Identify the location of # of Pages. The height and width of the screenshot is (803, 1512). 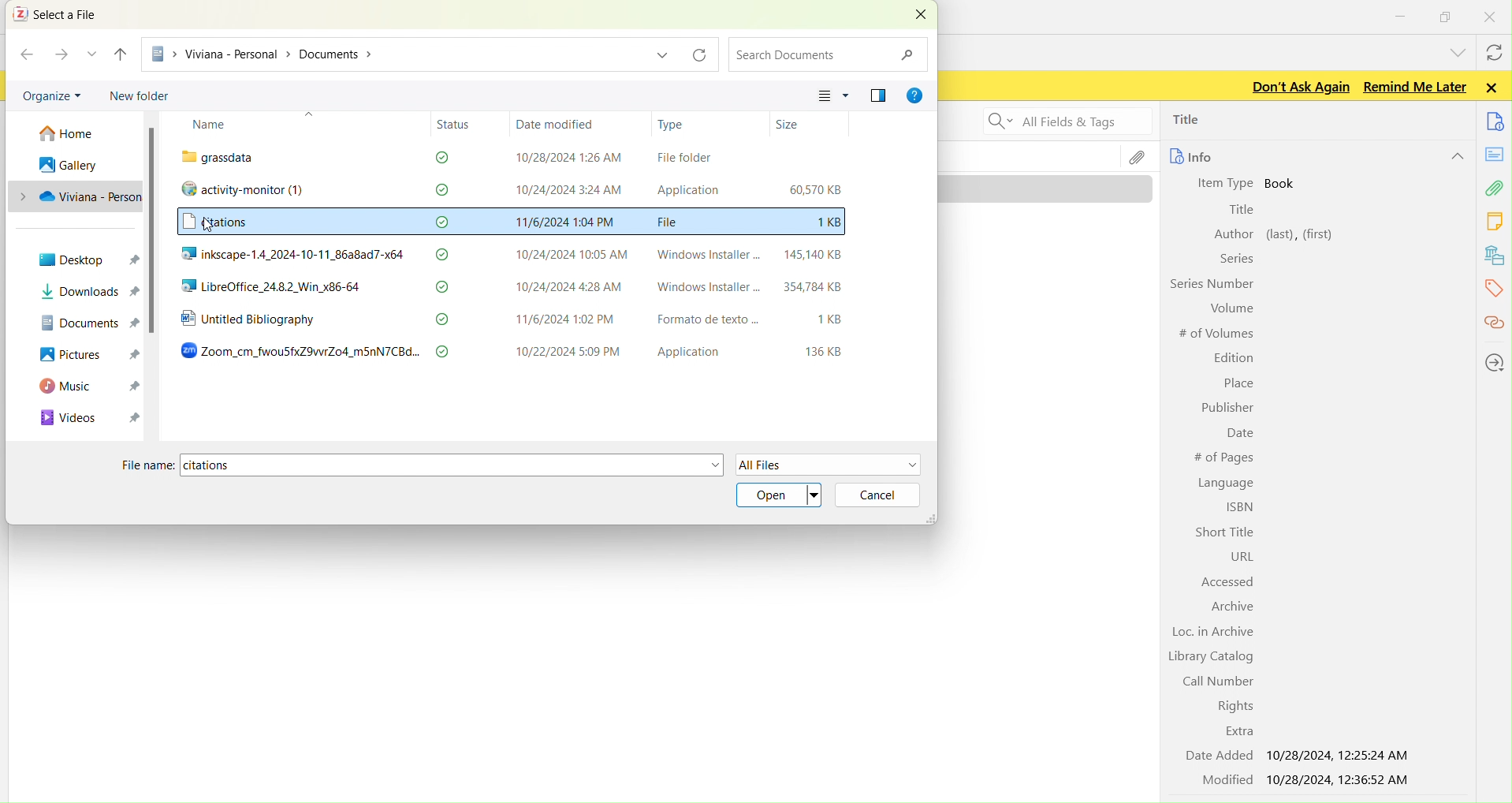
(1223, 458).